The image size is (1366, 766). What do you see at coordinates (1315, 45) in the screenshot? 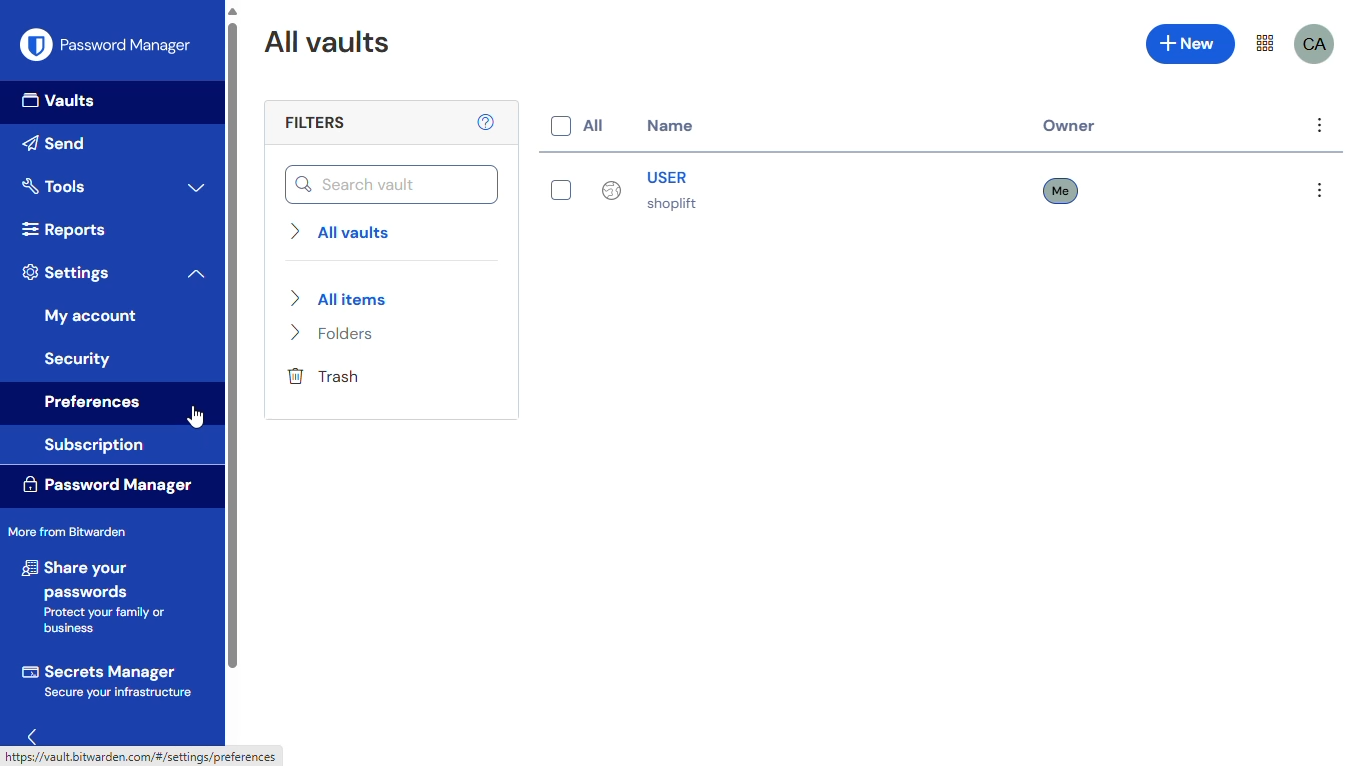
I see `CA` at bounding box center [1315, 45].